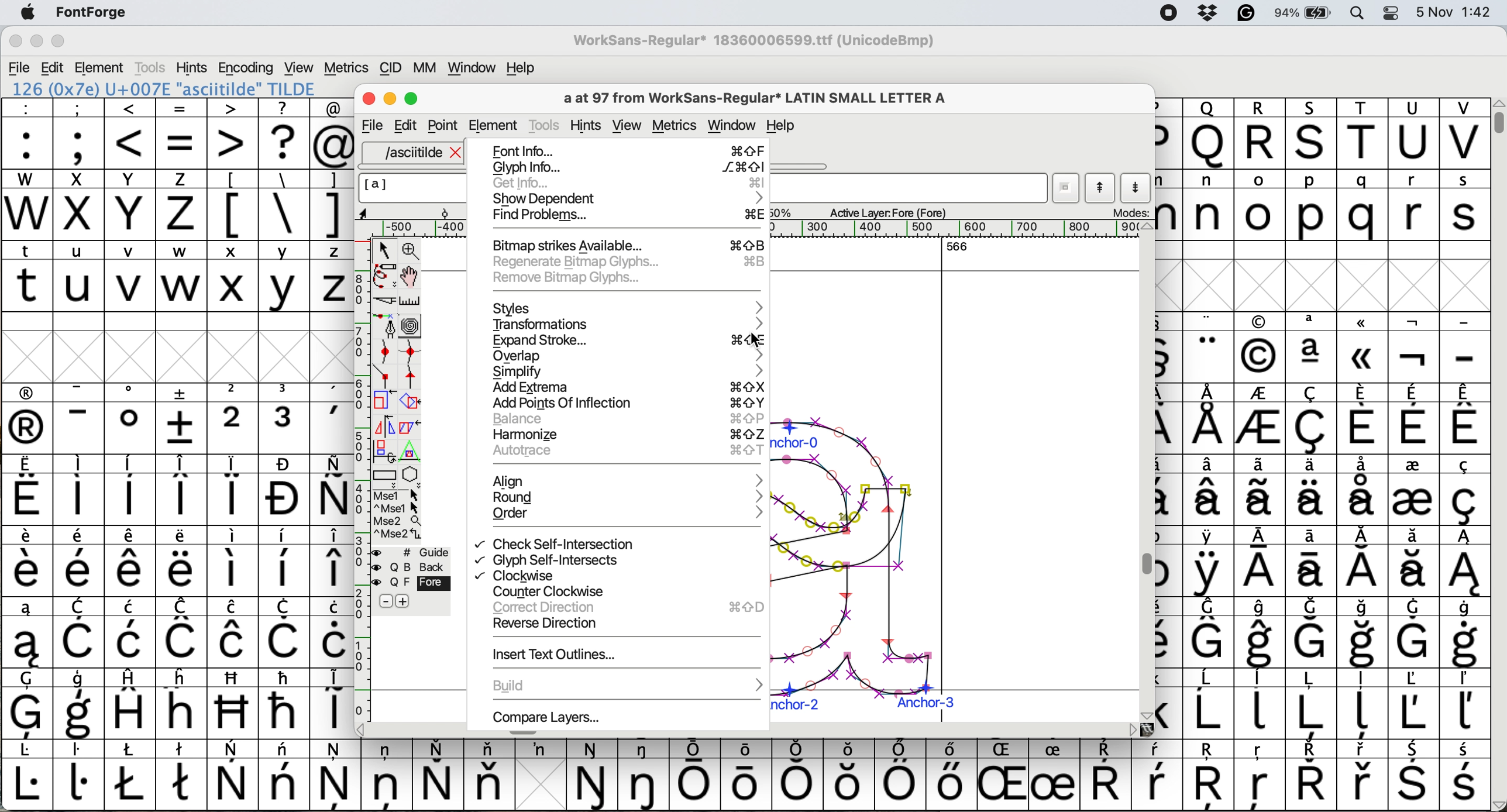  What do you see at coordinates (346, 68) in the screenshot?
I see `metrics` at bounding box center [346, 68].